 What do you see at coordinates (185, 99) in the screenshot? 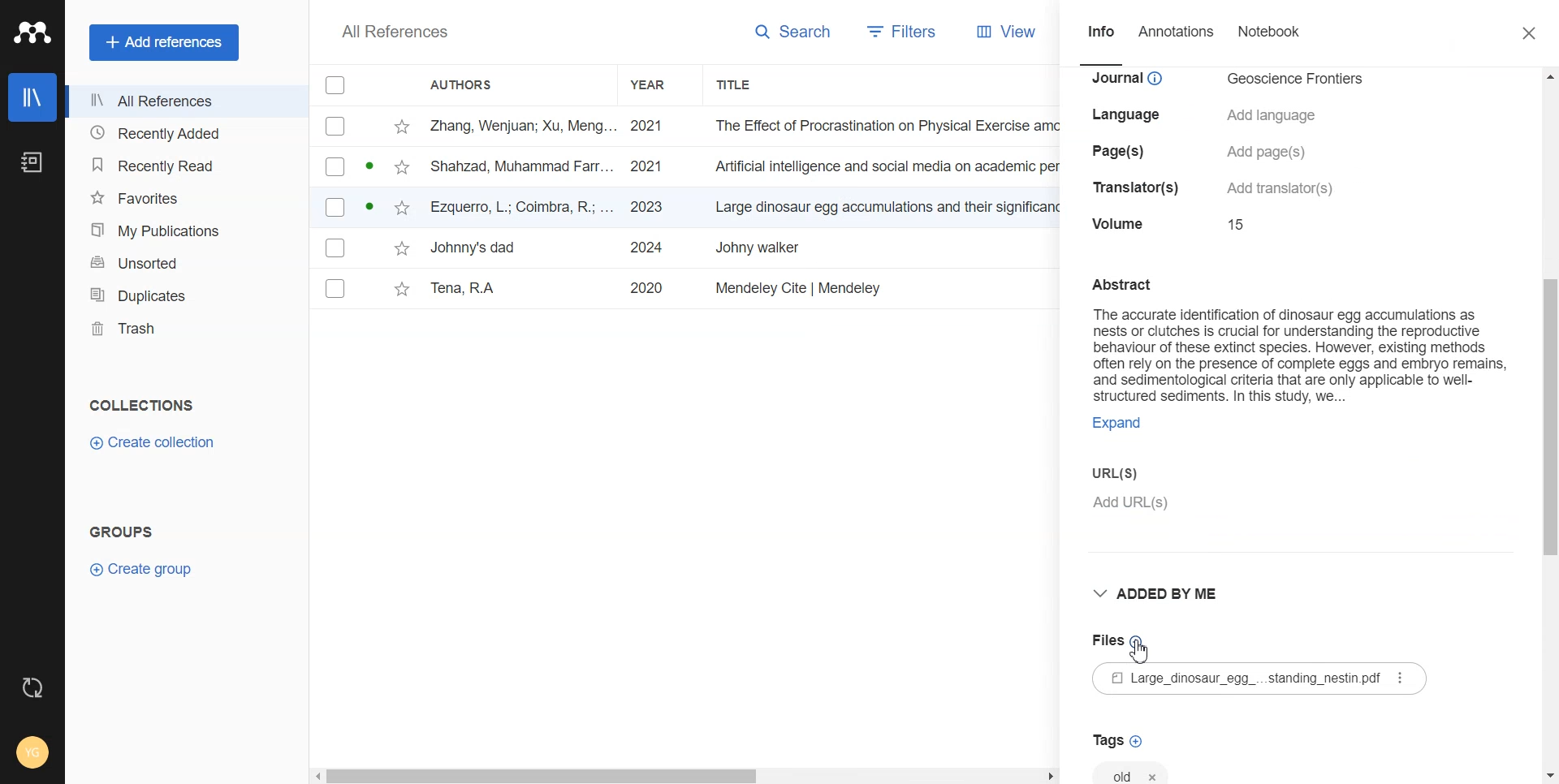
I see `All References` at bounding box center [185, 99].